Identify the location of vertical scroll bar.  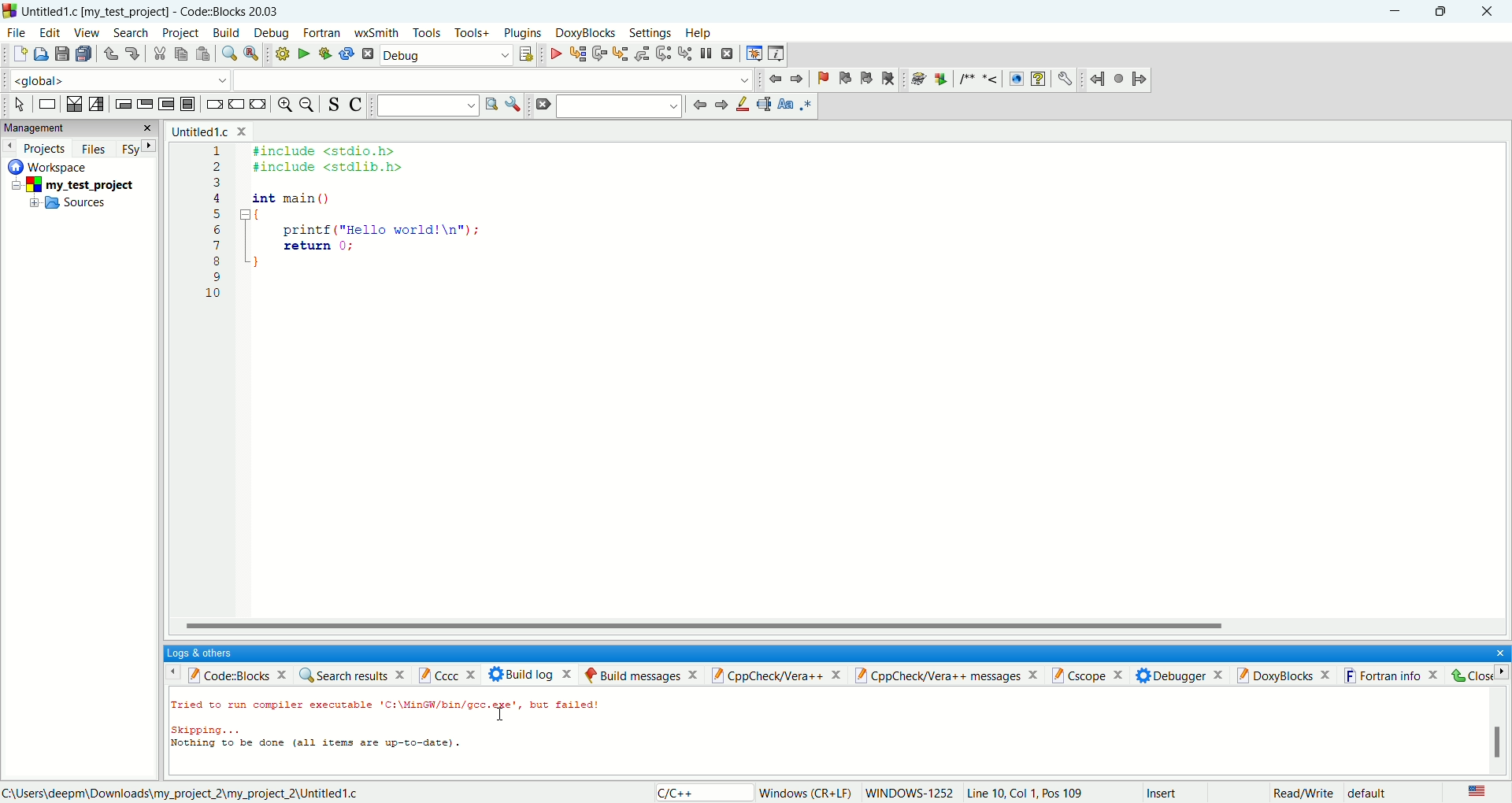
(1499, 731).